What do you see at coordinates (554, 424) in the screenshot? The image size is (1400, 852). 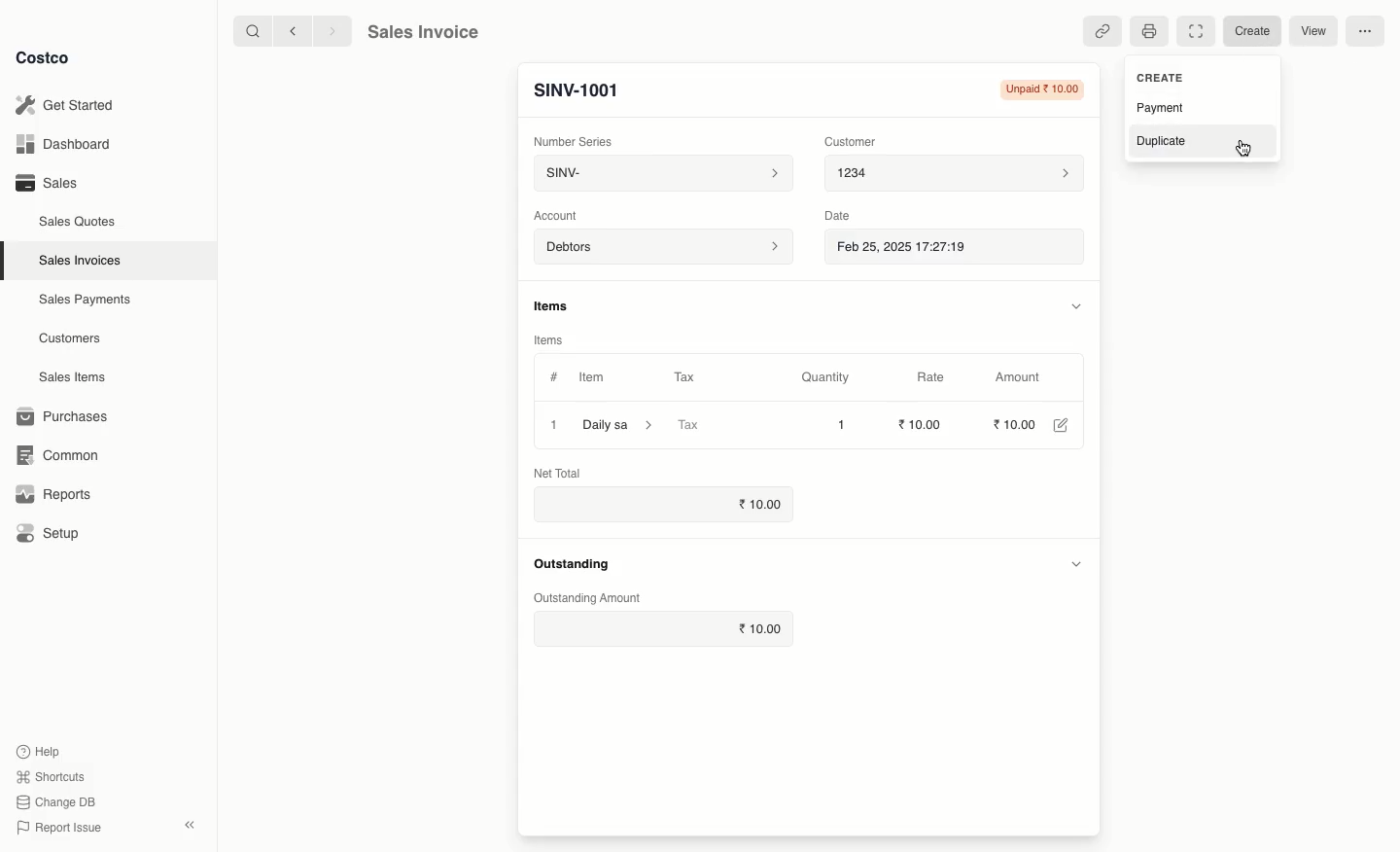 I see `1` at bounding box center [554, 424].